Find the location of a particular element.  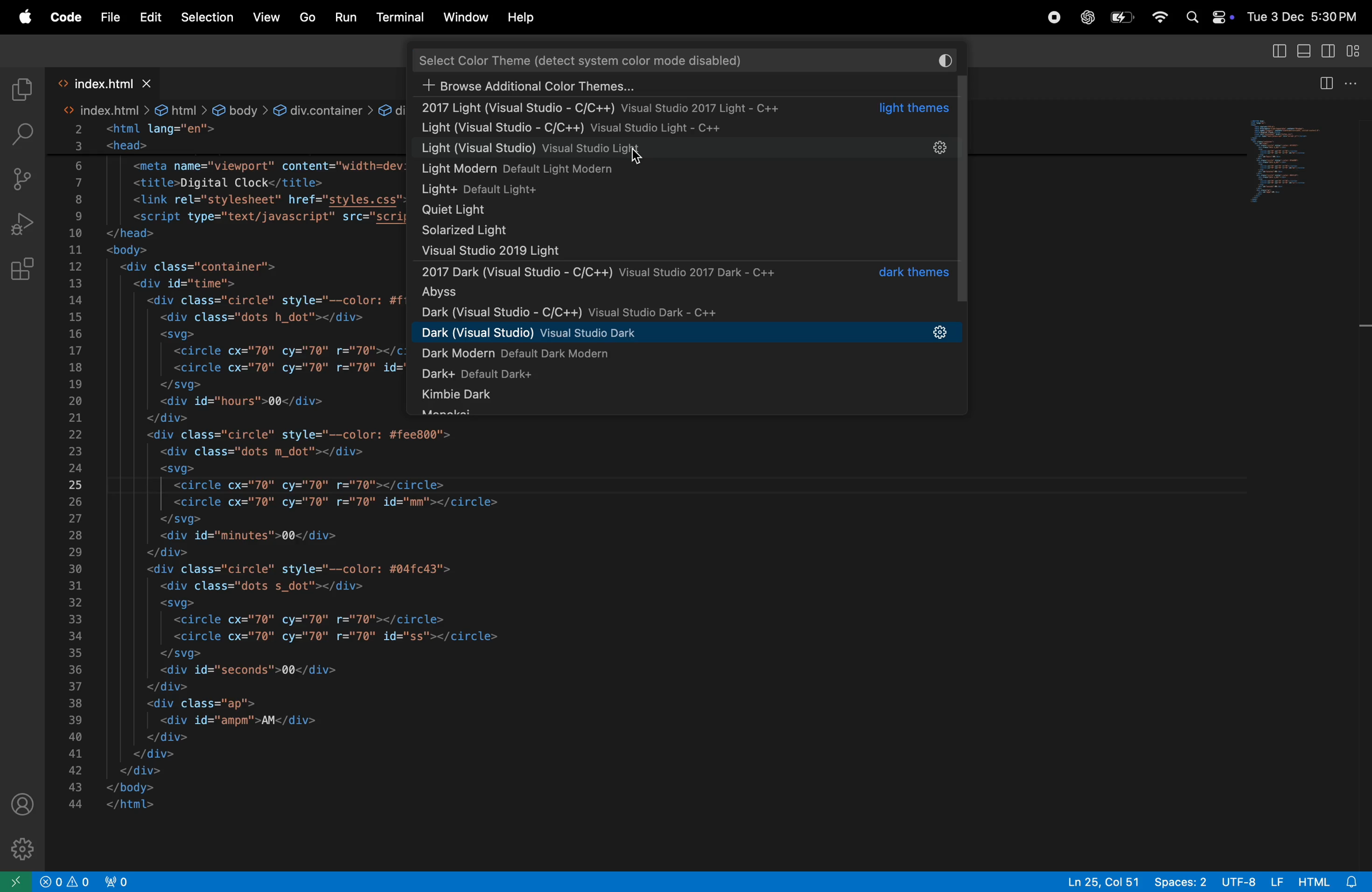

no problems is located at coordinates (62, 882).